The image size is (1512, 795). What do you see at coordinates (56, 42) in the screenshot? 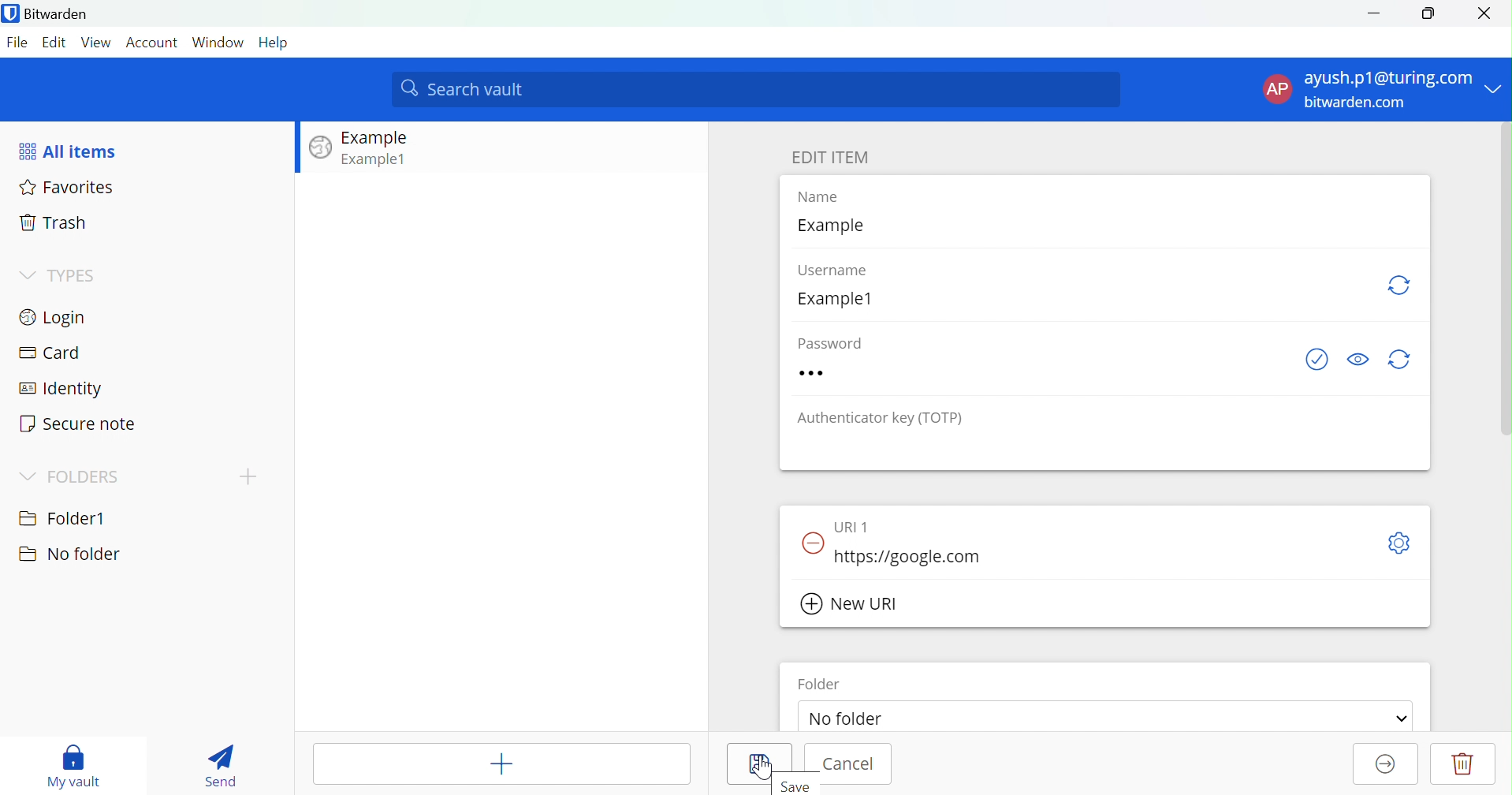
I see `Edit` at bounding box center [56, 42].